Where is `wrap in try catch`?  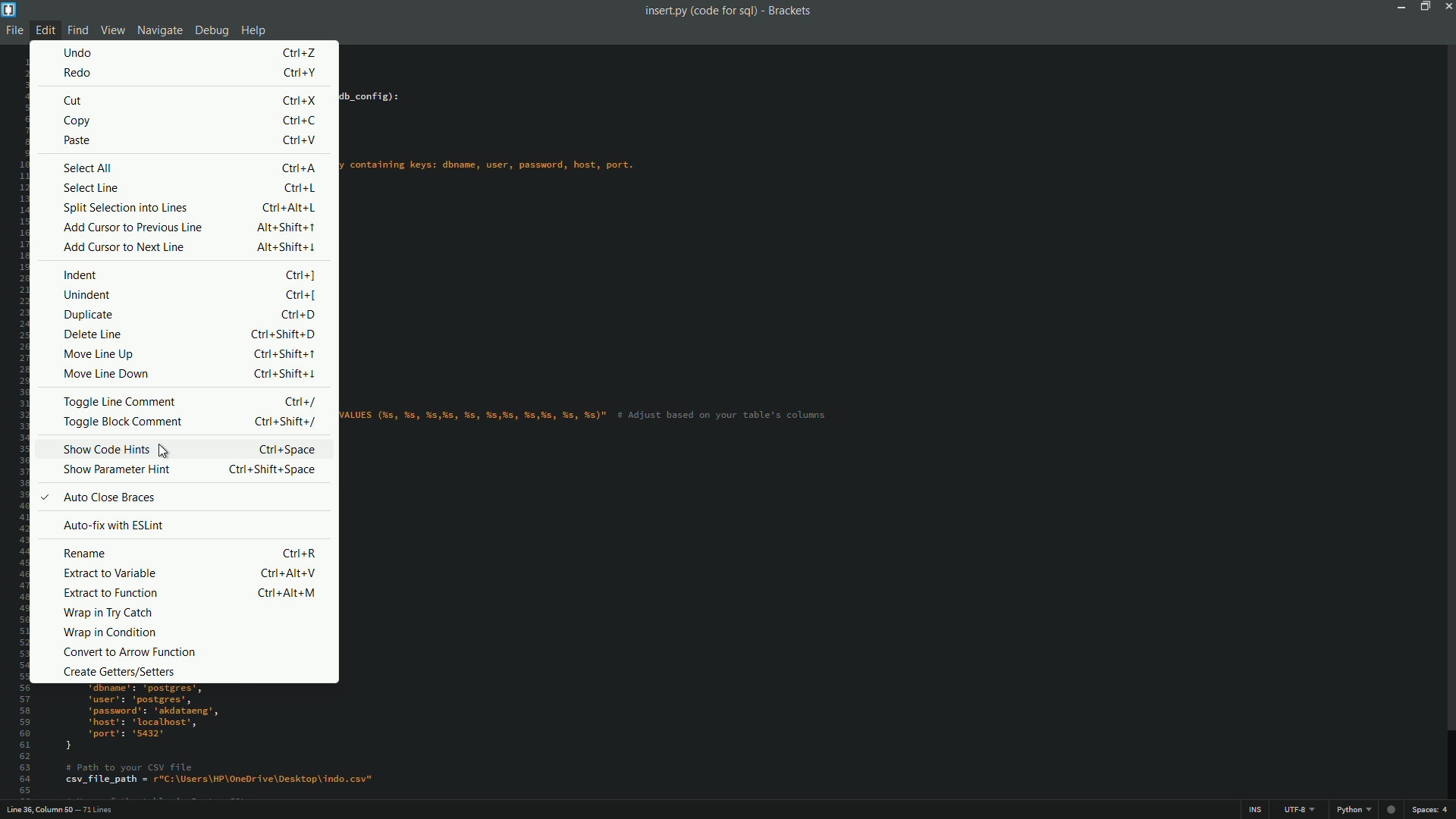 wrap in try catch is located at coordinates (106, 613).